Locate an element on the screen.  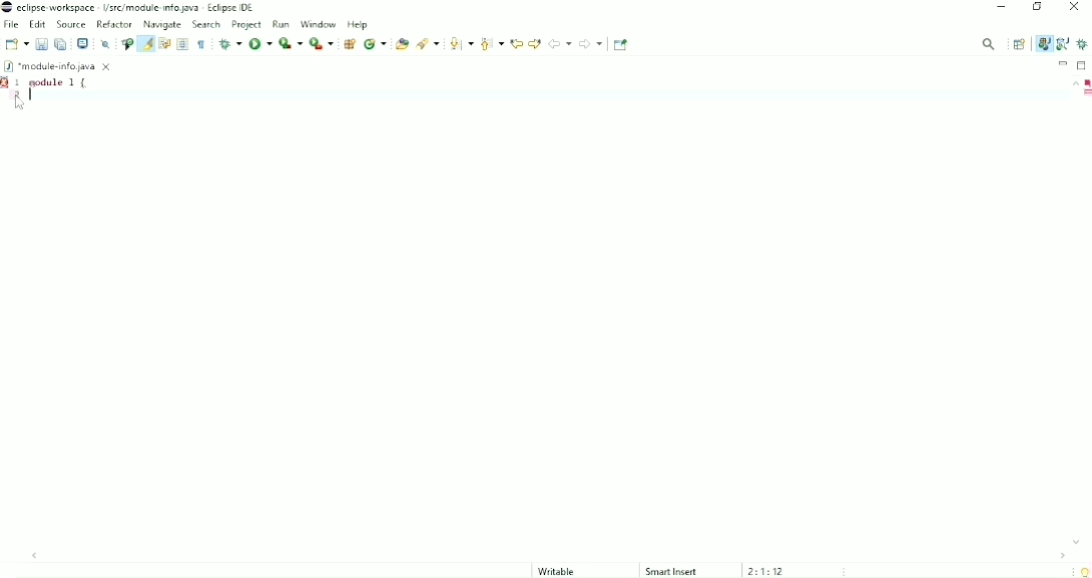
Help is located at coordinates (358, 24).